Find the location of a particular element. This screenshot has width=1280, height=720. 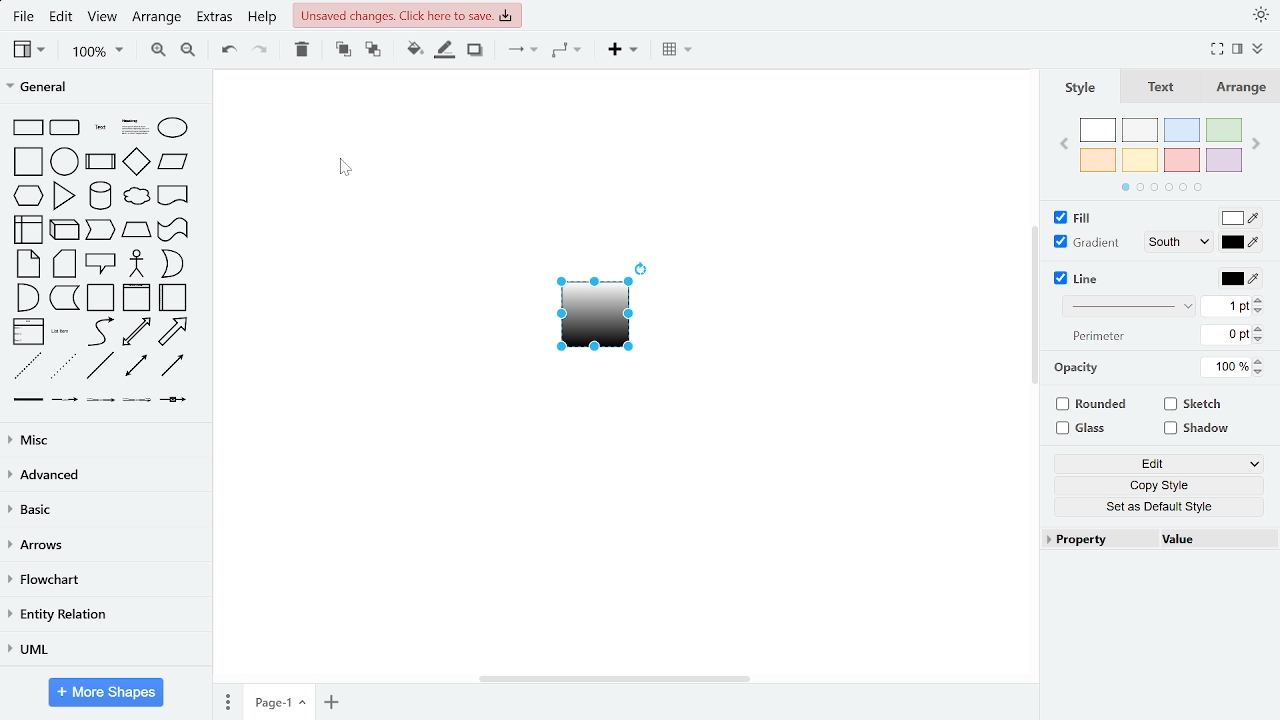

line style is located at coordinates (1130, 305).